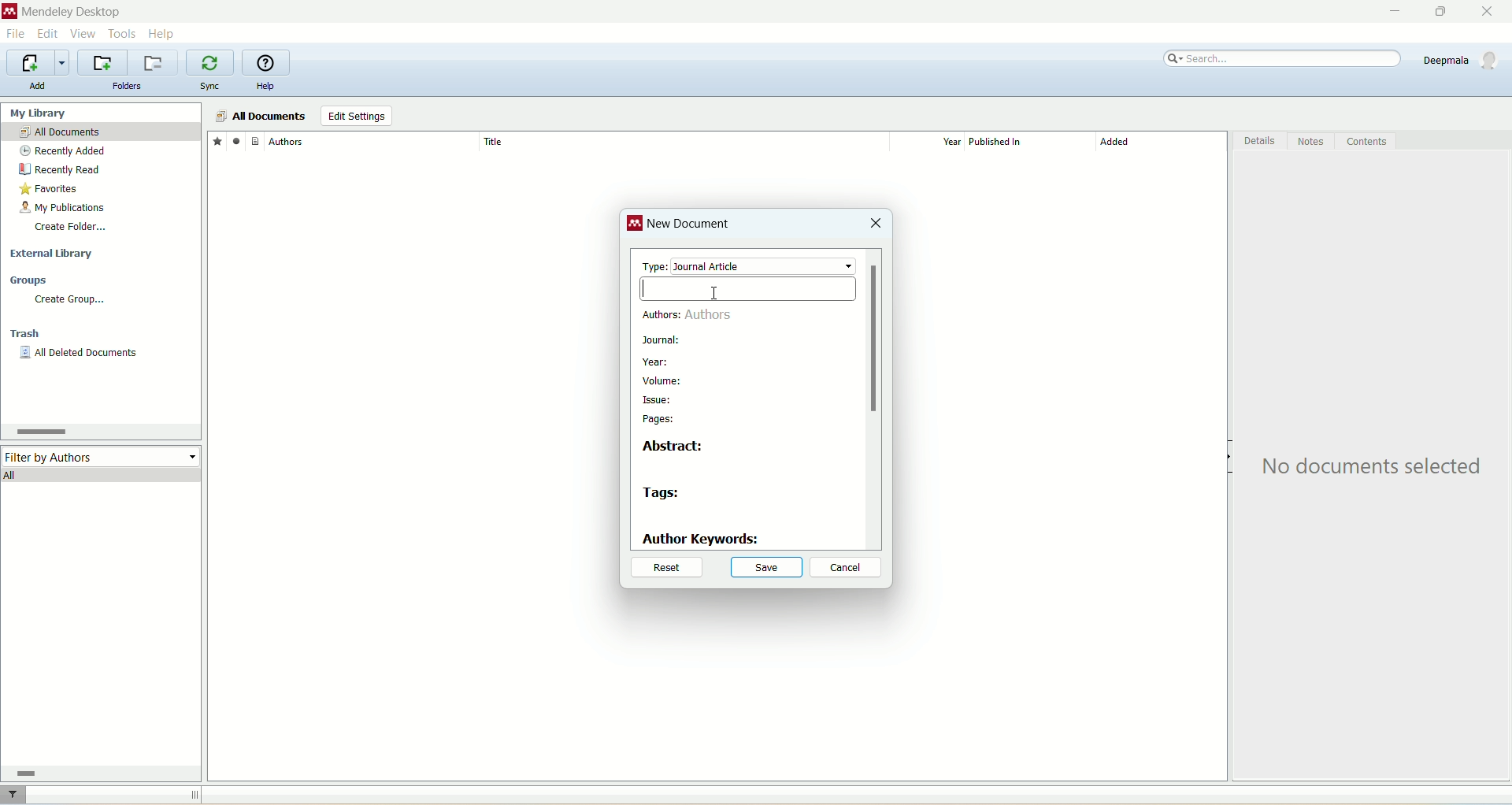 This screenshot has height=805, width=1512. Describe the element at coordinates (260, 117) in the screenshot. I see `all documents` at that location.